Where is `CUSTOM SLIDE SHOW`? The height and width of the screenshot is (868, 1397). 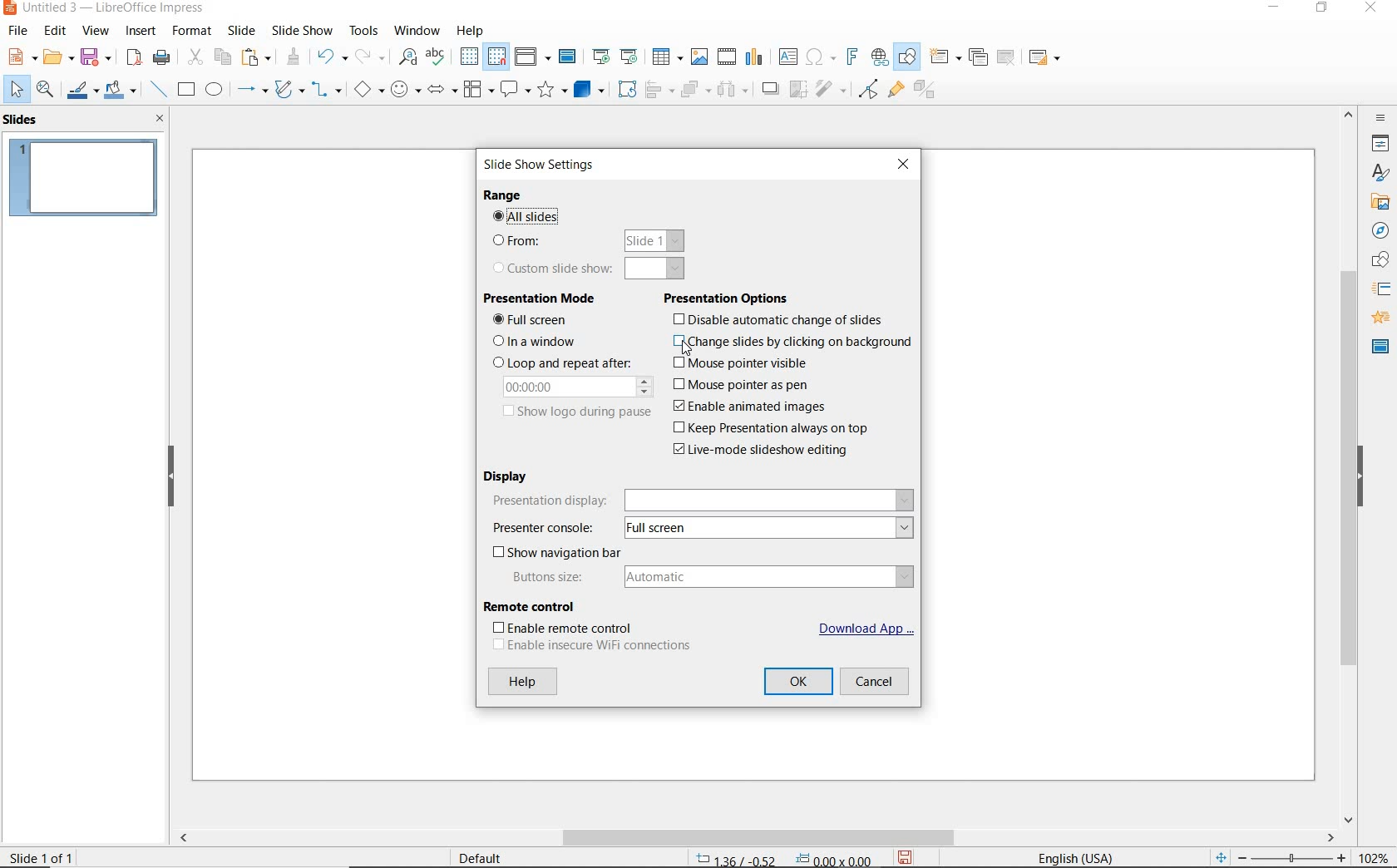
CUSTOM SLIDE SHOW is located at coordinates (587, 269).